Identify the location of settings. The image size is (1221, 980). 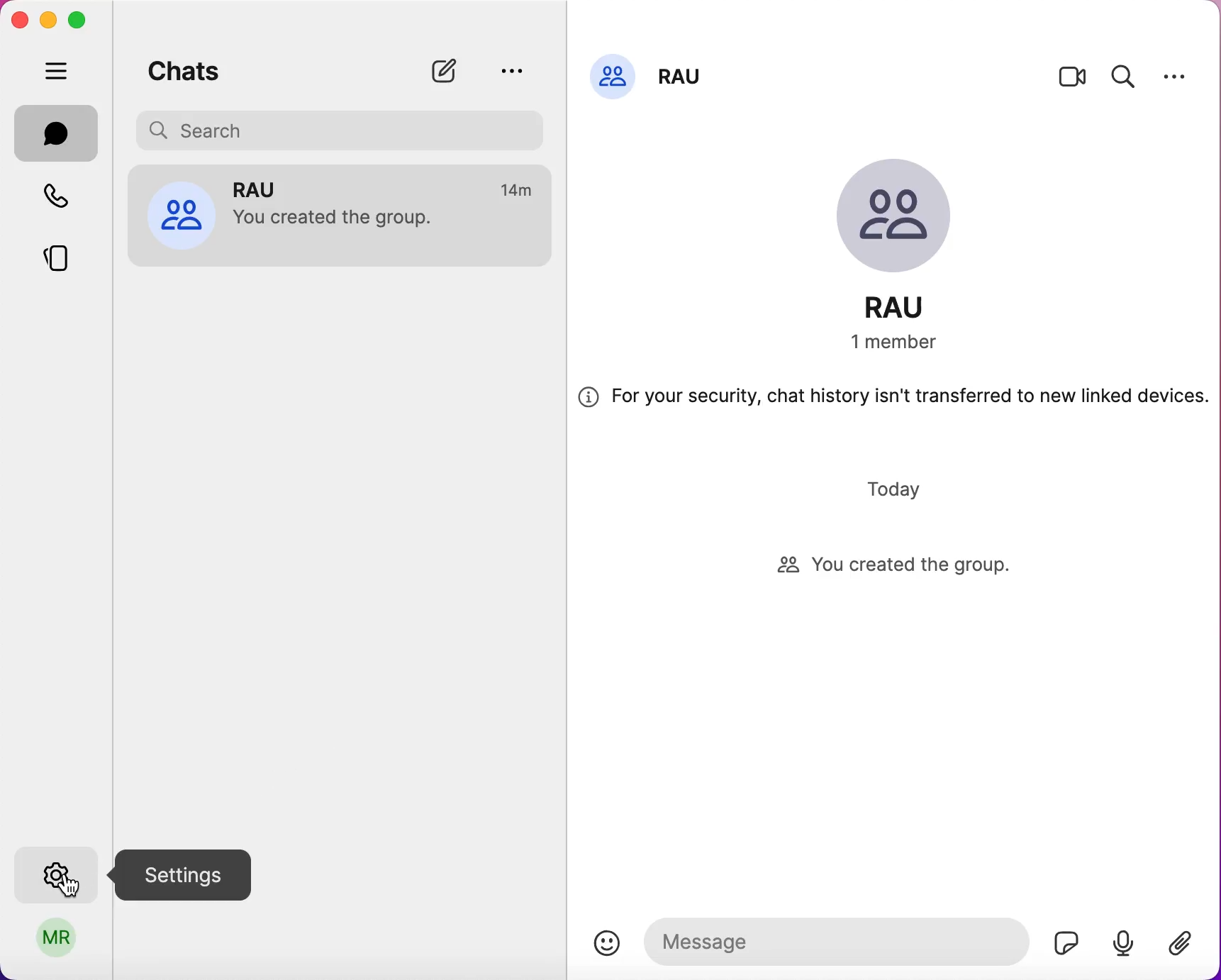
(53, 872).